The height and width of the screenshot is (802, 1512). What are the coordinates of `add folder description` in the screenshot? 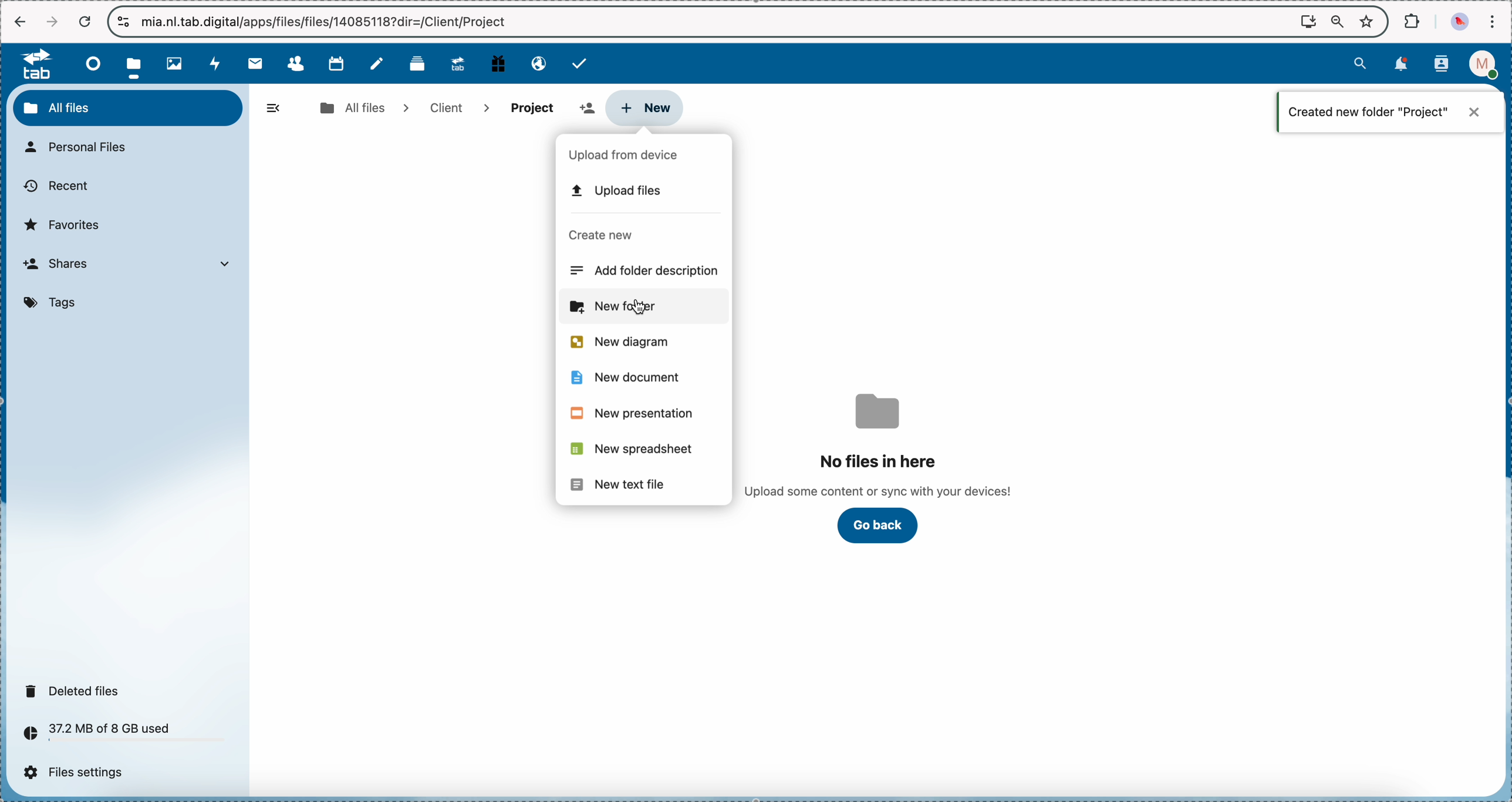 It's located at (649, 270).